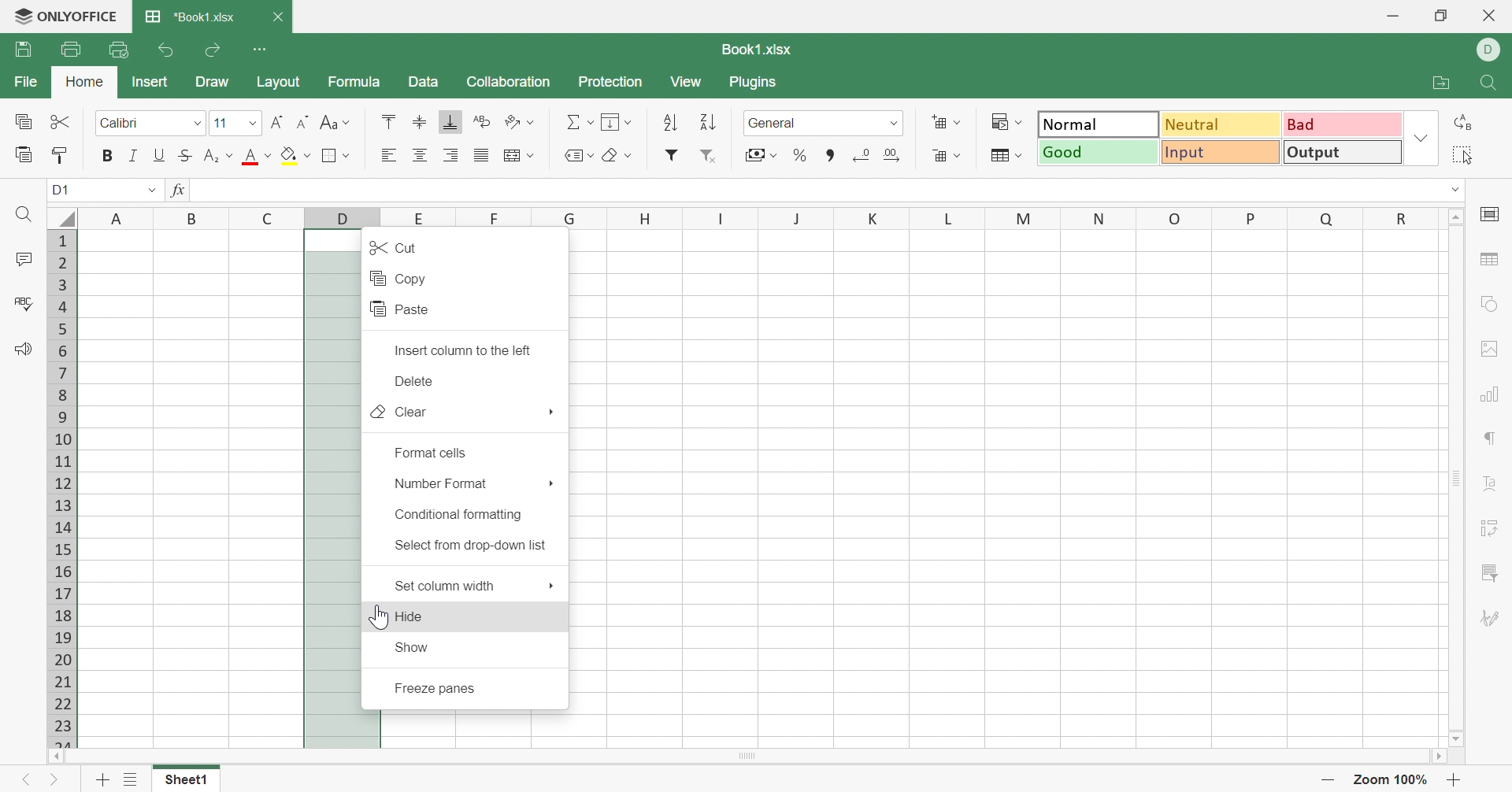  Describe the element at coordinates (1492, 83) in the screenshot. I see `Find` at that location.